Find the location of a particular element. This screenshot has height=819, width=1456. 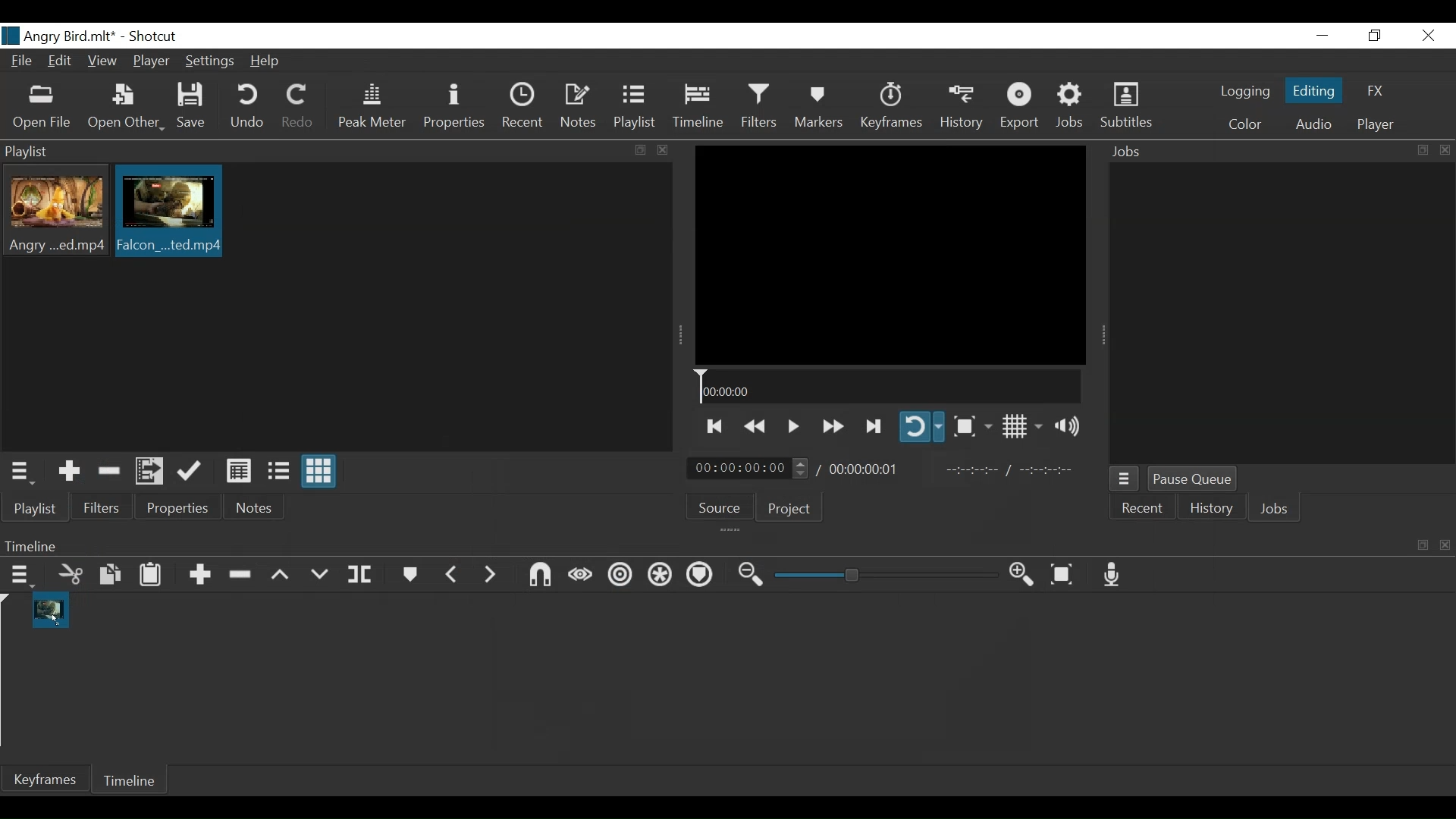

Jobs is located at coordinates (1071, 106).